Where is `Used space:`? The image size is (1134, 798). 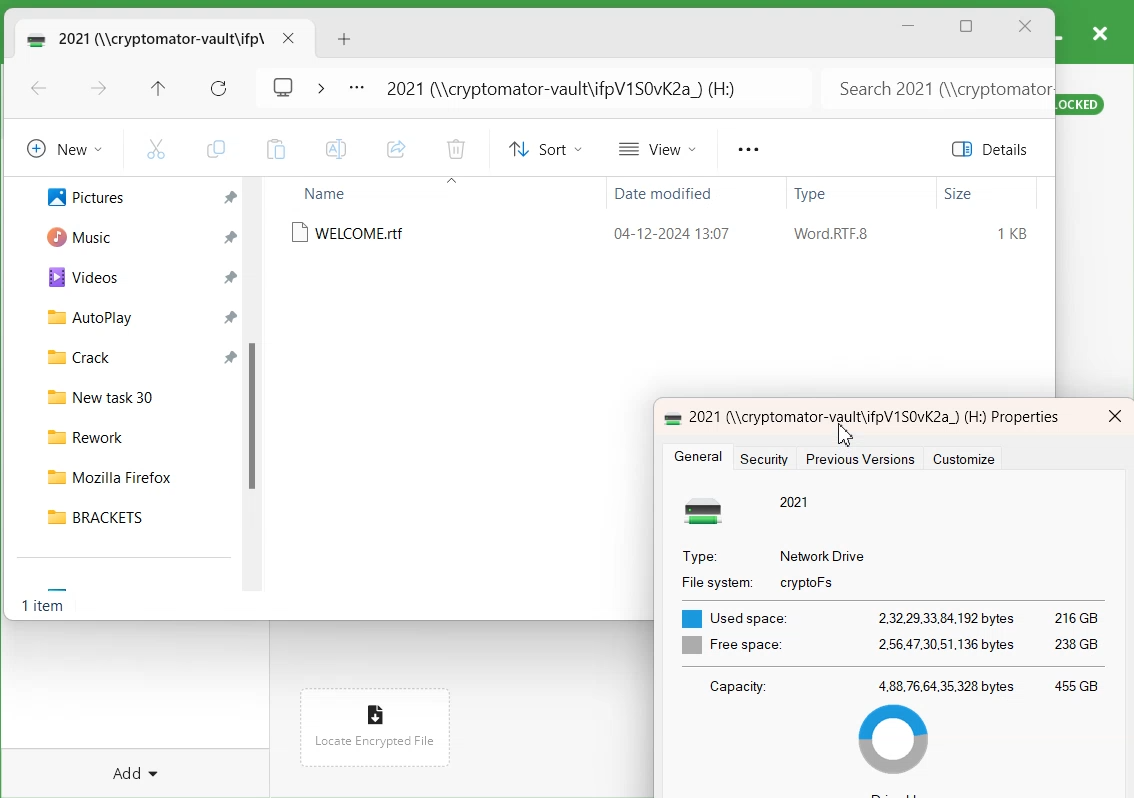
Used space: is located at coordinates (737, 617).